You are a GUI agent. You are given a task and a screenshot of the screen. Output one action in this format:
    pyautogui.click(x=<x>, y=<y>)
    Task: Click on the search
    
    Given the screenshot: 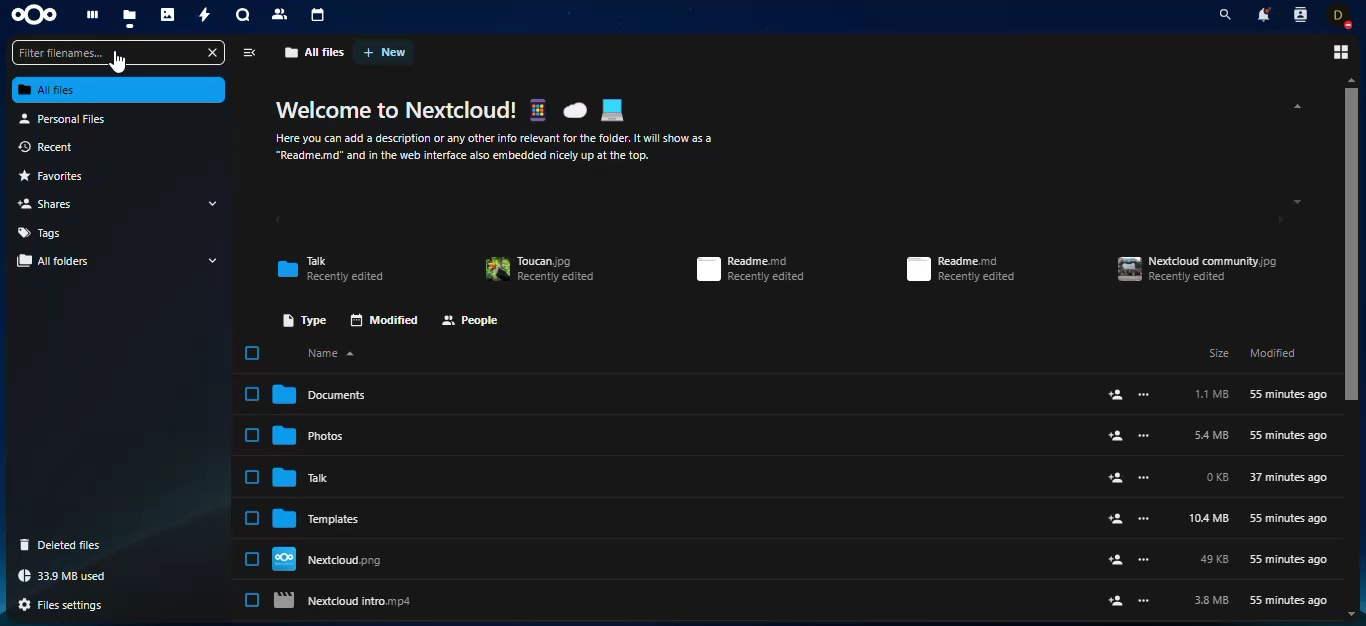 What is the action you would take?
    pyautogui.click(x=1221, y=15)
    